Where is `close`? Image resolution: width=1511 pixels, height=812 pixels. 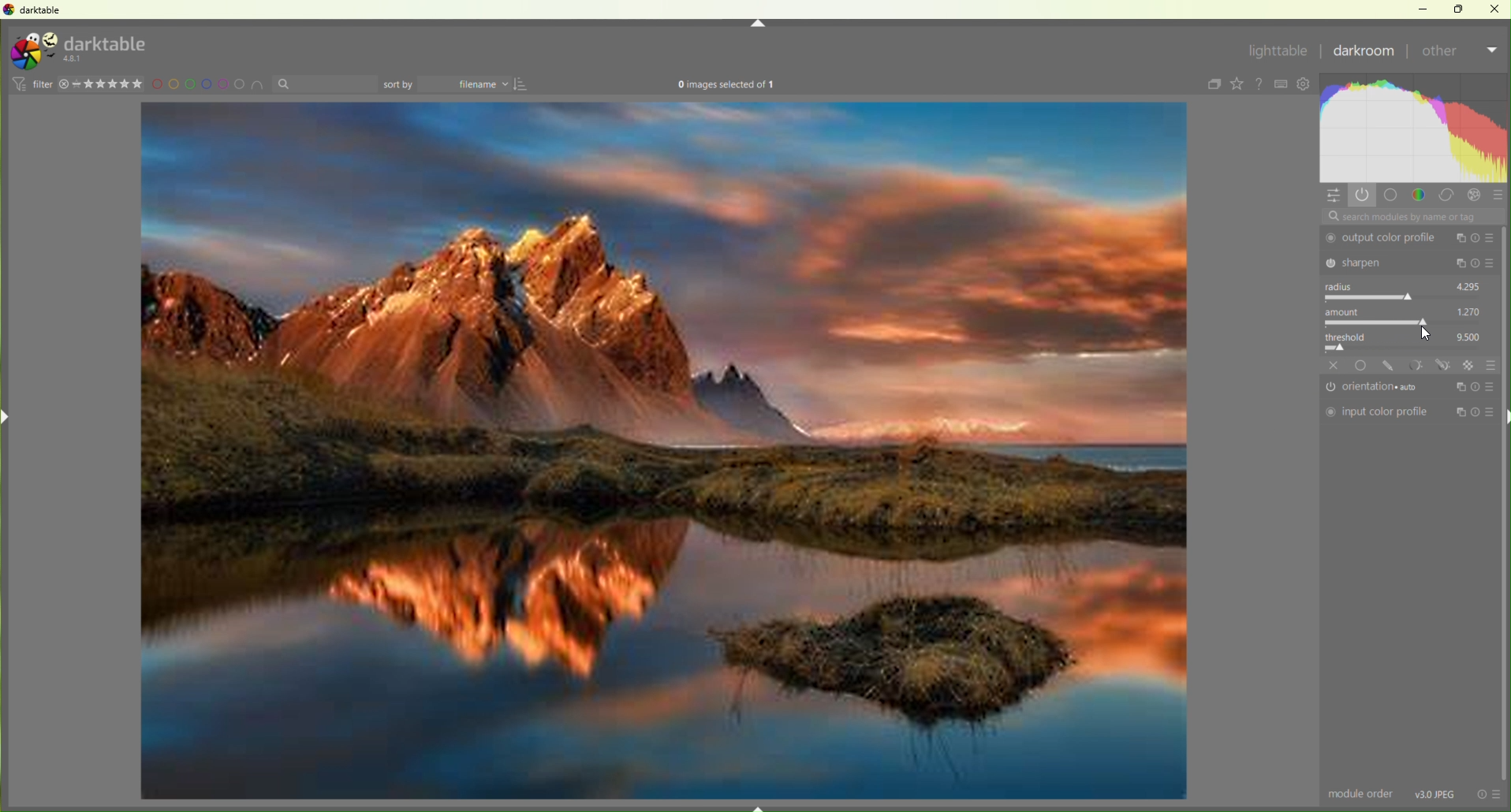
close is located at coordinates (64, 84).